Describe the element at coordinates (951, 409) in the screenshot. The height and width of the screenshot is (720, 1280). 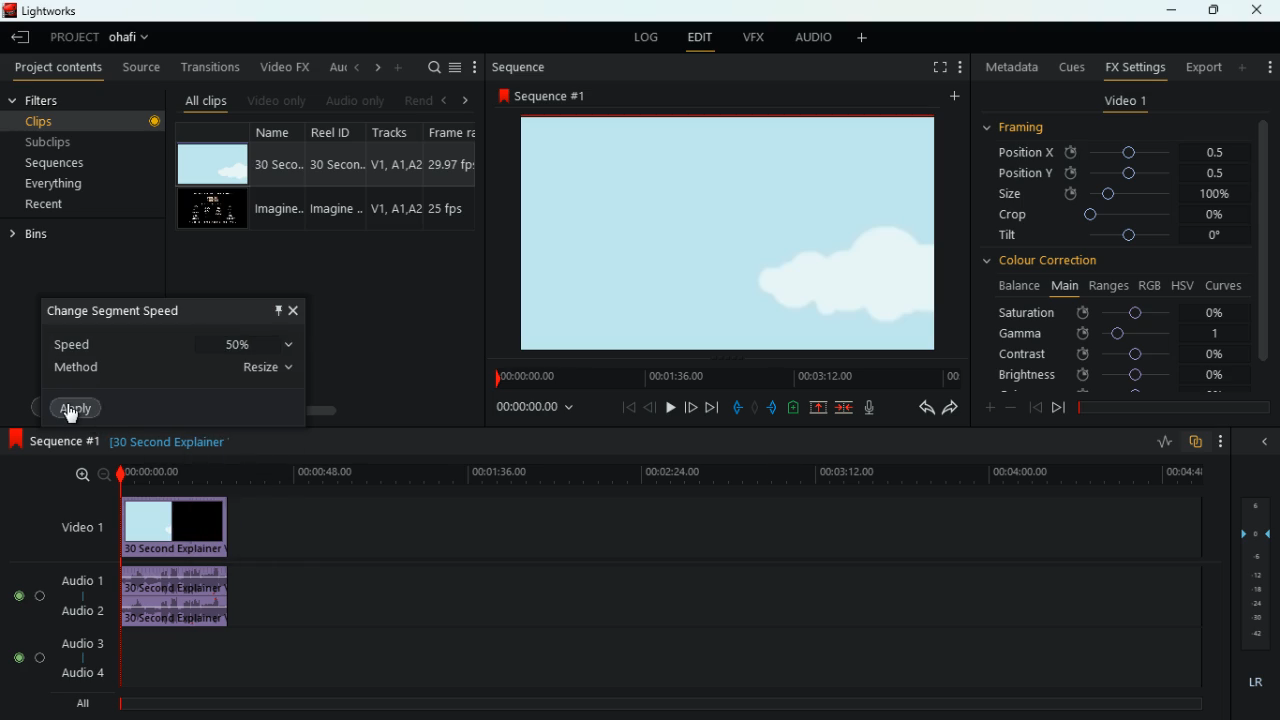
I see `forward` at that location.